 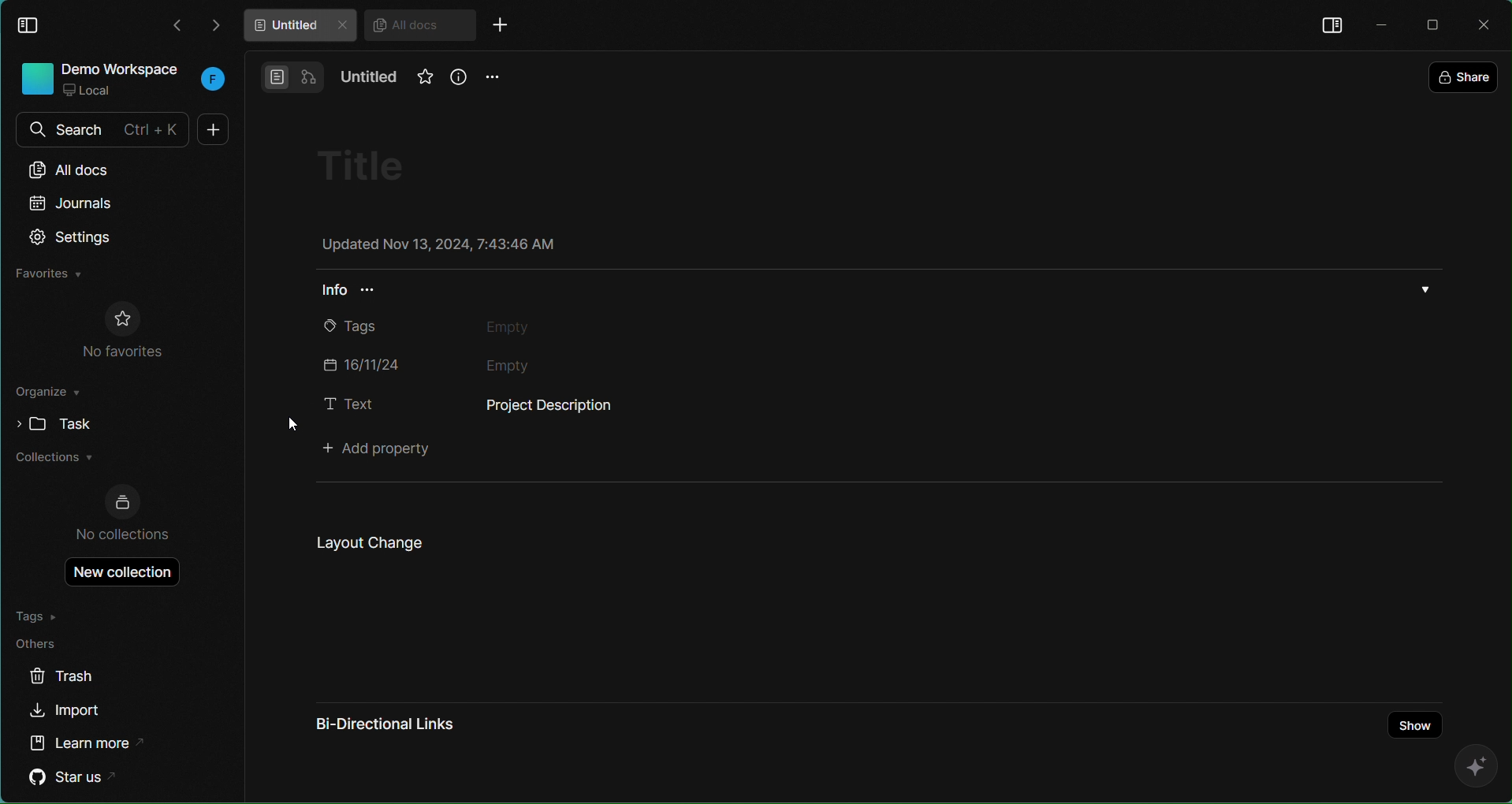 What do you see at coordinates (1469, 767) in the screenshot?
I see `icon` at bounding box center [1469, 767].